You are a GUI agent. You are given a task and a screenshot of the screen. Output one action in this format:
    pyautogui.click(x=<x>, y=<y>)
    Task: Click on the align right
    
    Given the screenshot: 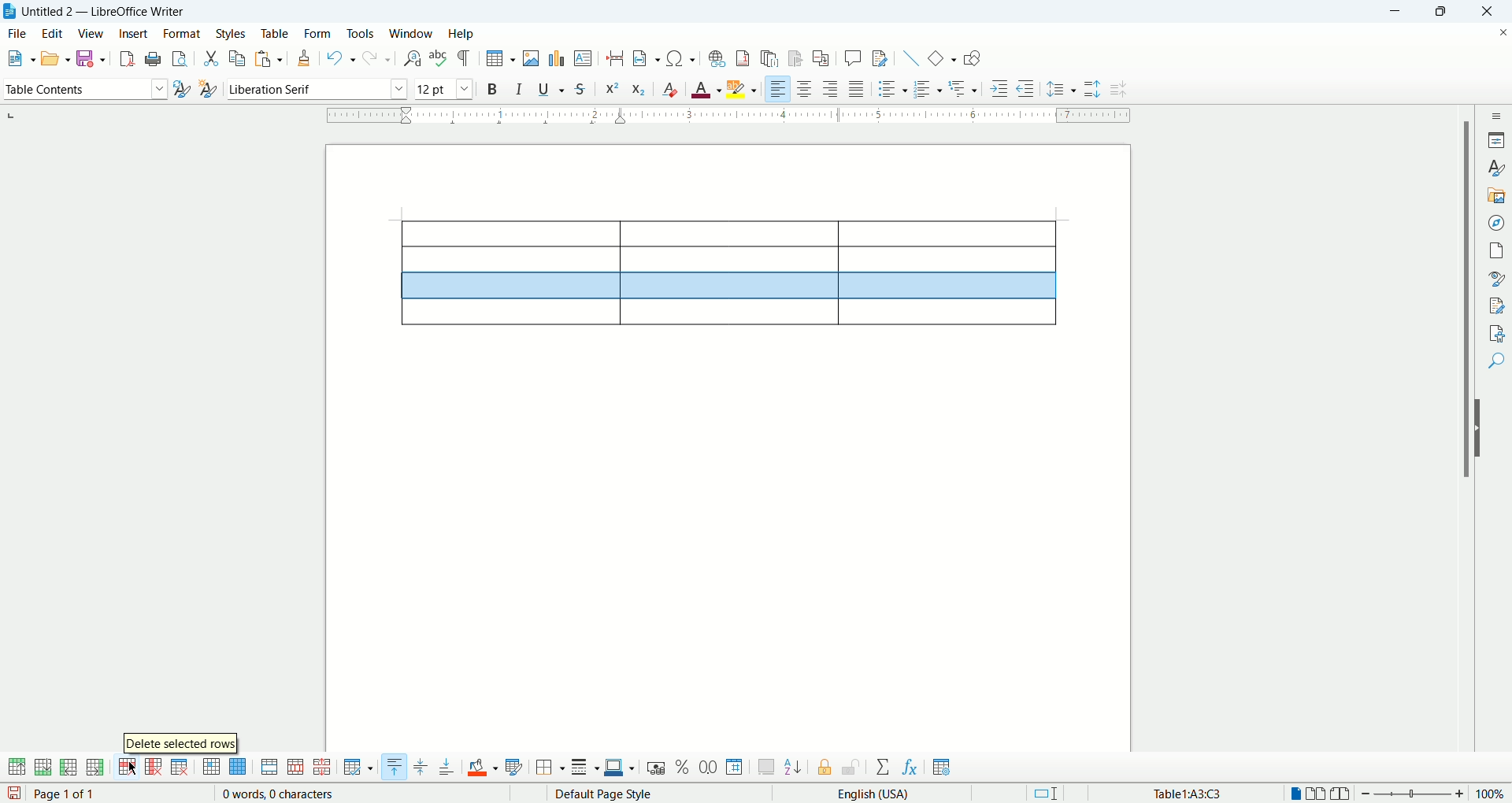 What is the action you would take?
    pyautogui.click(x=828, y=91)
    